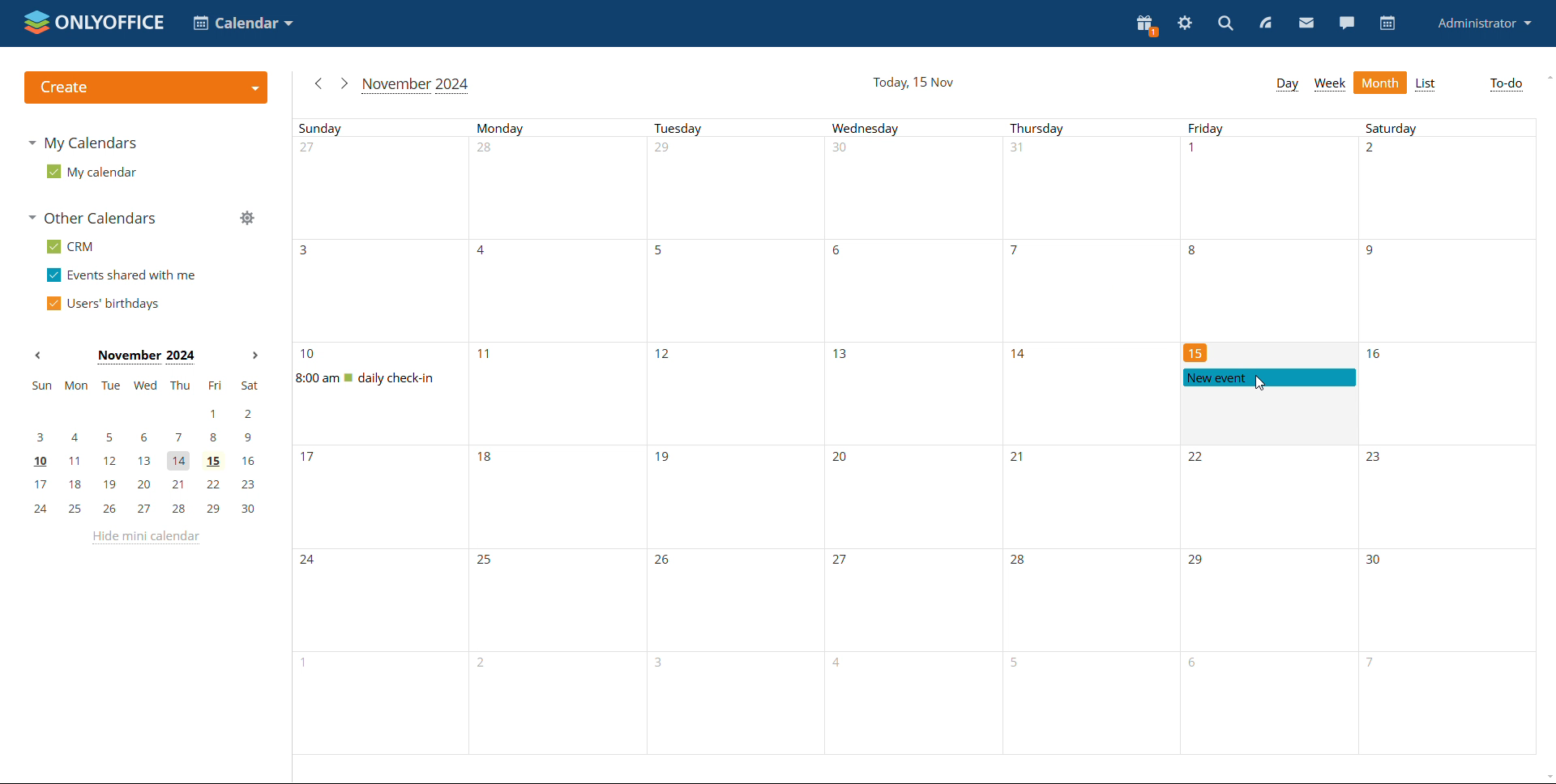 This screenshot has height=784, width=1556. What do you see at coordinates (96, 219) in the screenshot?
I see `other calendars` at bounding box center [96, 219].